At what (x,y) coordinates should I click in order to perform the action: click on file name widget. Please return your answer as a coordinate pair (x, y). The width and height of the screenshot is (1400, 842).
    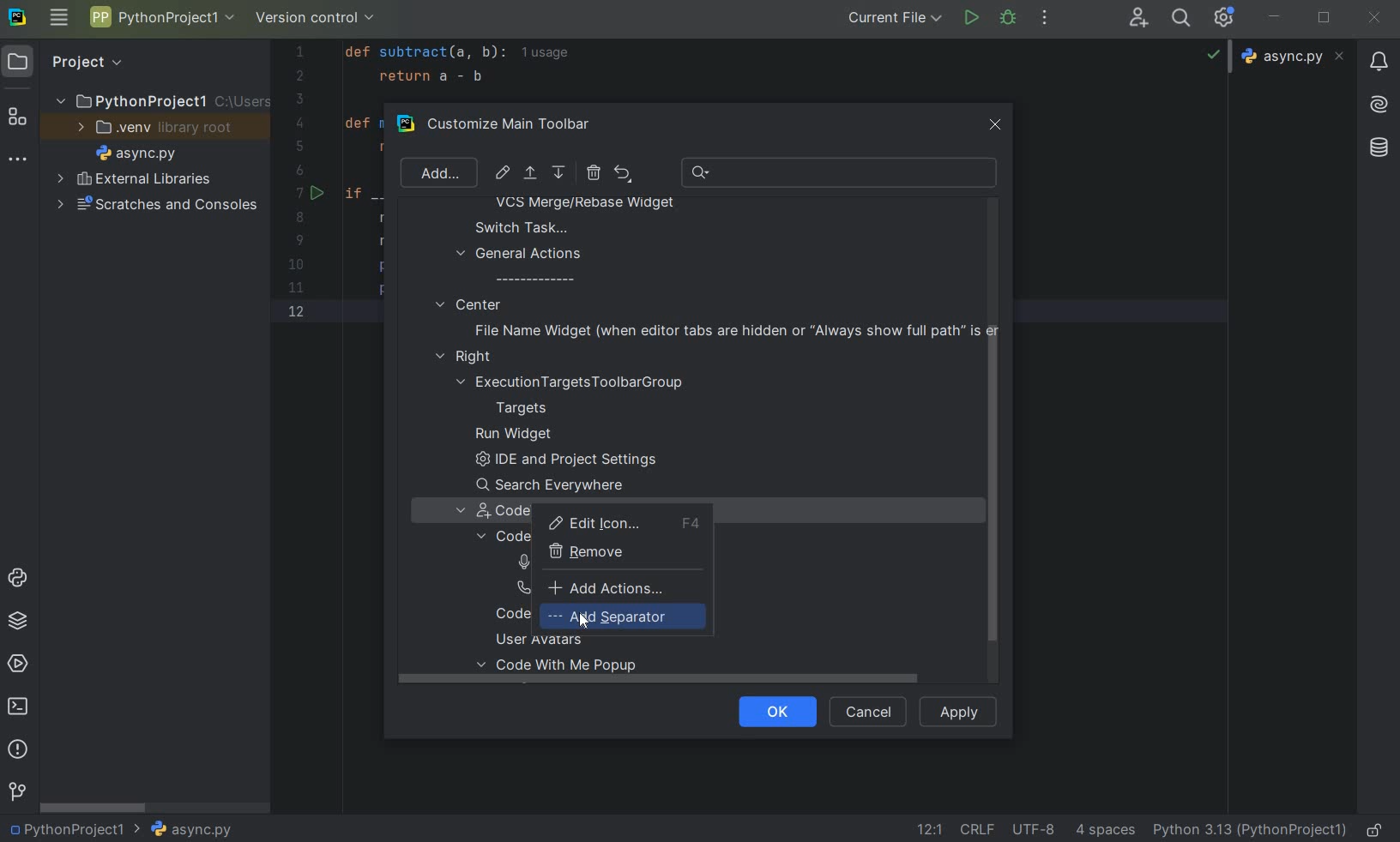
    Looking at the image, I should click on (732, 330).